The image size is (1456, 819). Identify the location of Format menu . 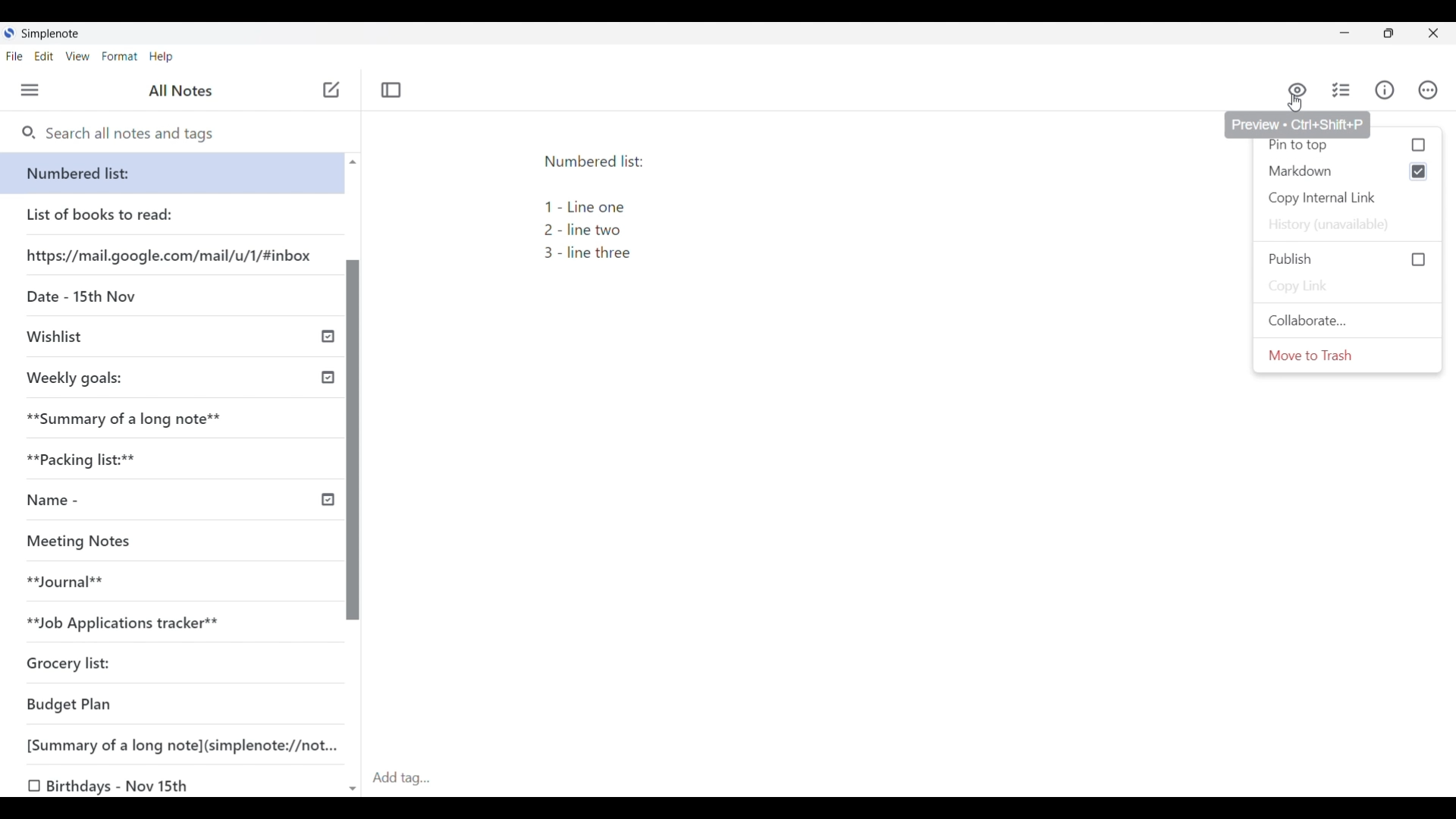
(121, 56).